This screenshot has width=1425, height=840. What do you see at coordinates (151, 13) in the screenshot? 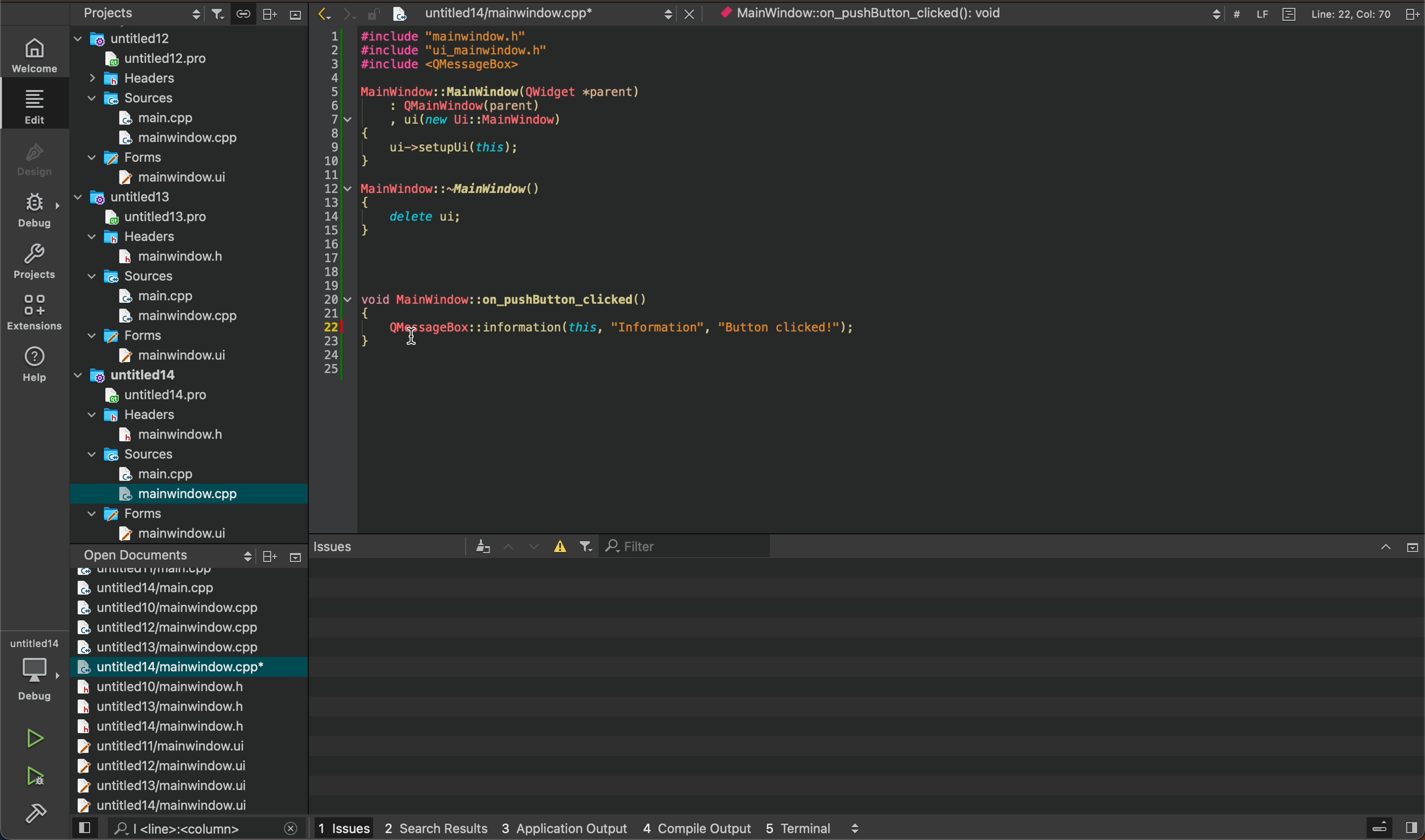
I see `projects` at bounding box center [151, 13].